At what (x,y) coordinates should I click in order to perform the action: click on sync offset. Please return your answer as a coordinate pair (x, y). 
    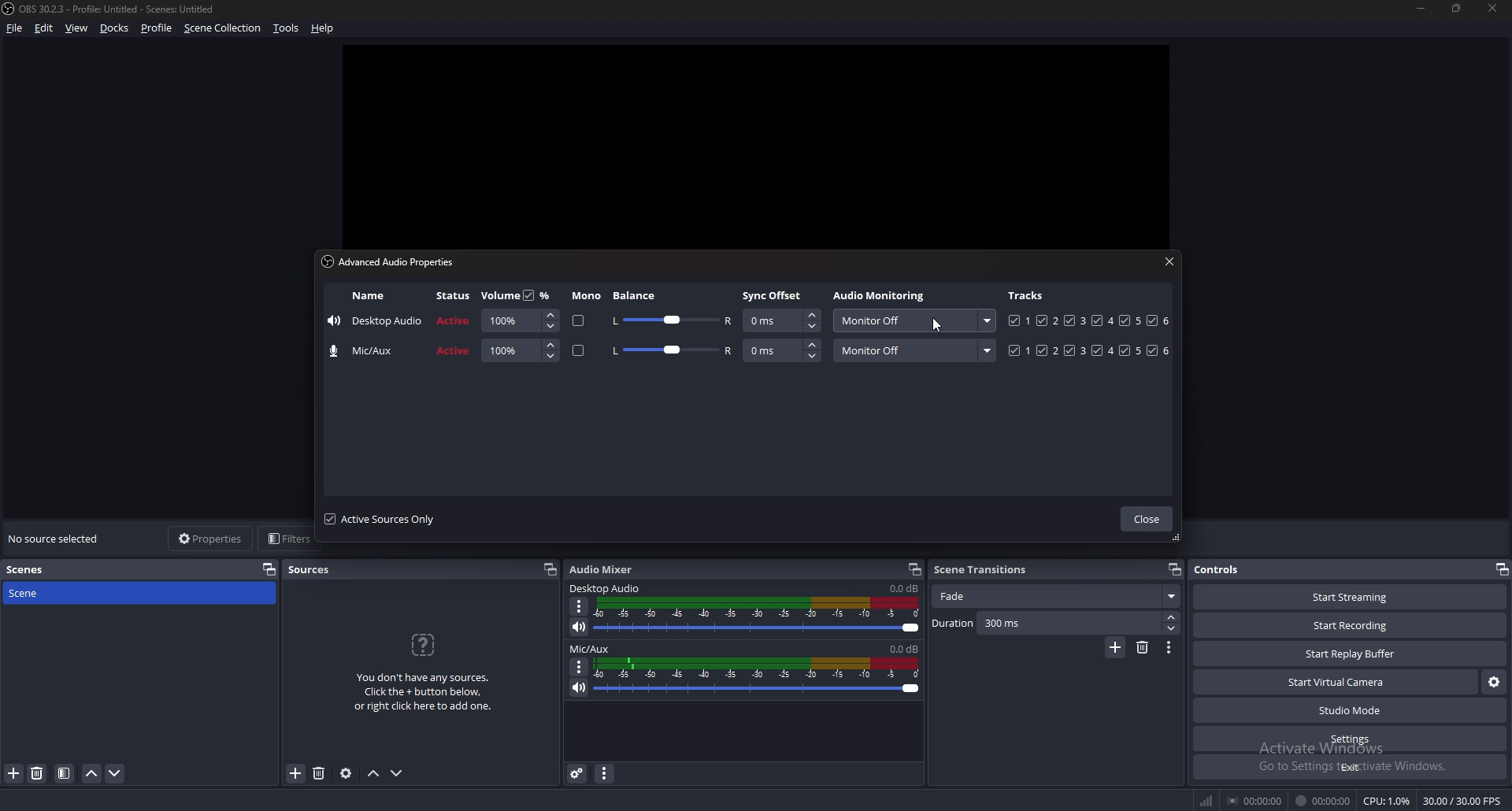
    Looking at the image, I should click on (773, 295).